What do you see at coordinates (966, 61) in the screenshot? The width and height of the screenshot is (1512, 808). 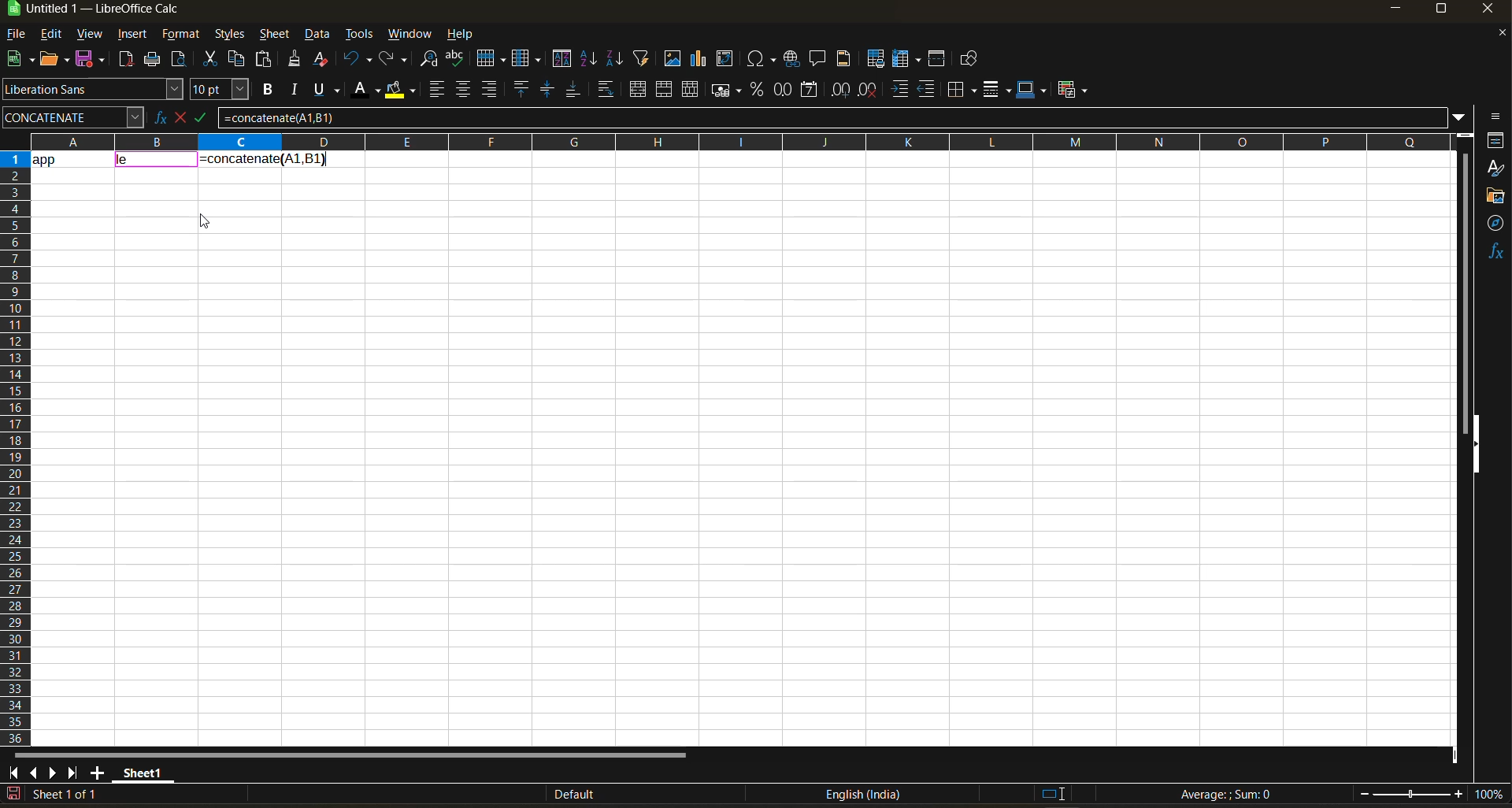 I see `show draw functions` at bounding box center [966, 61].